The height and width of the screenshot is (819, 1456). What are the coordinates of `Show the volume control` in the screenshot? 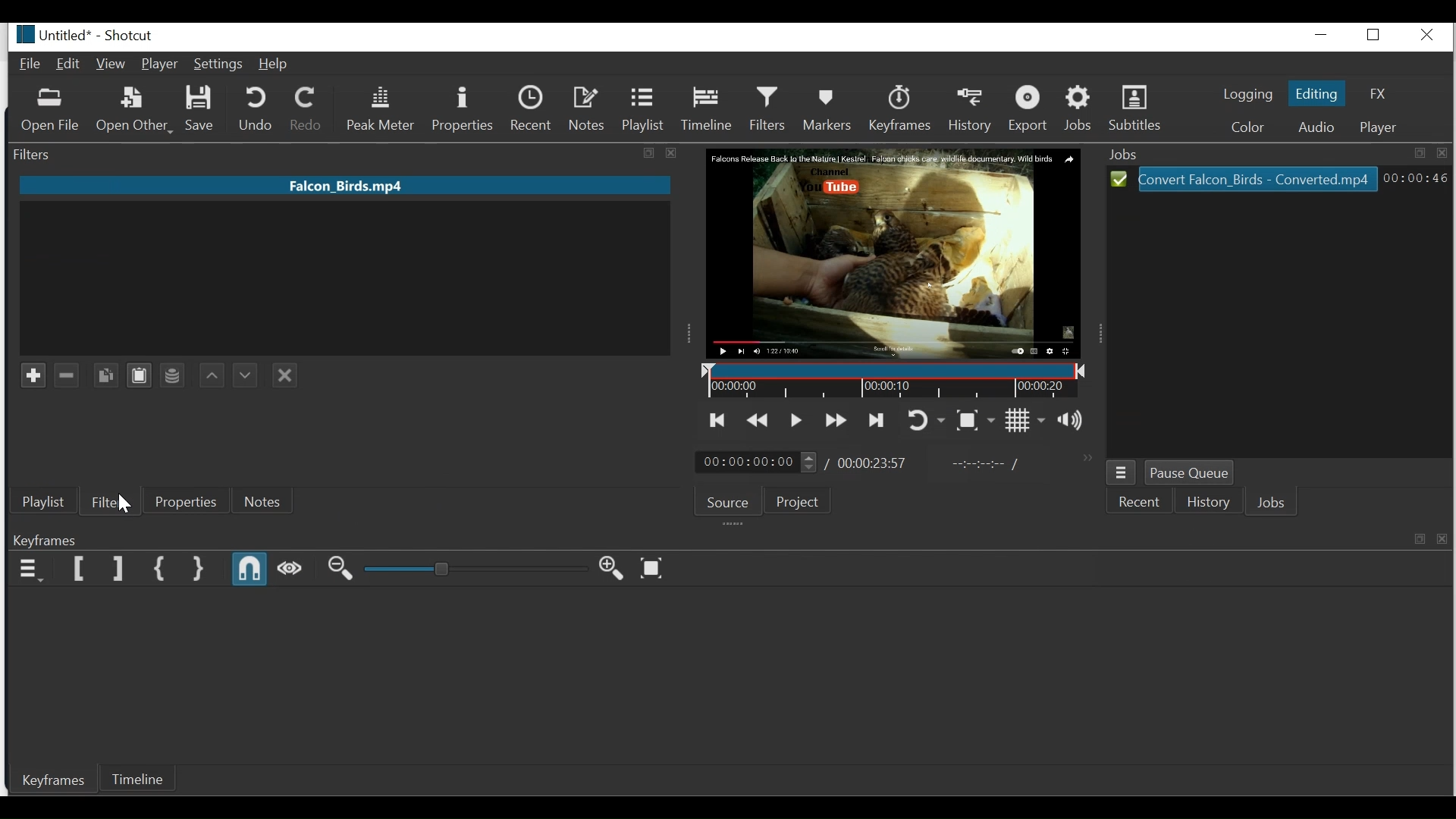 It's located at (1072, 419).